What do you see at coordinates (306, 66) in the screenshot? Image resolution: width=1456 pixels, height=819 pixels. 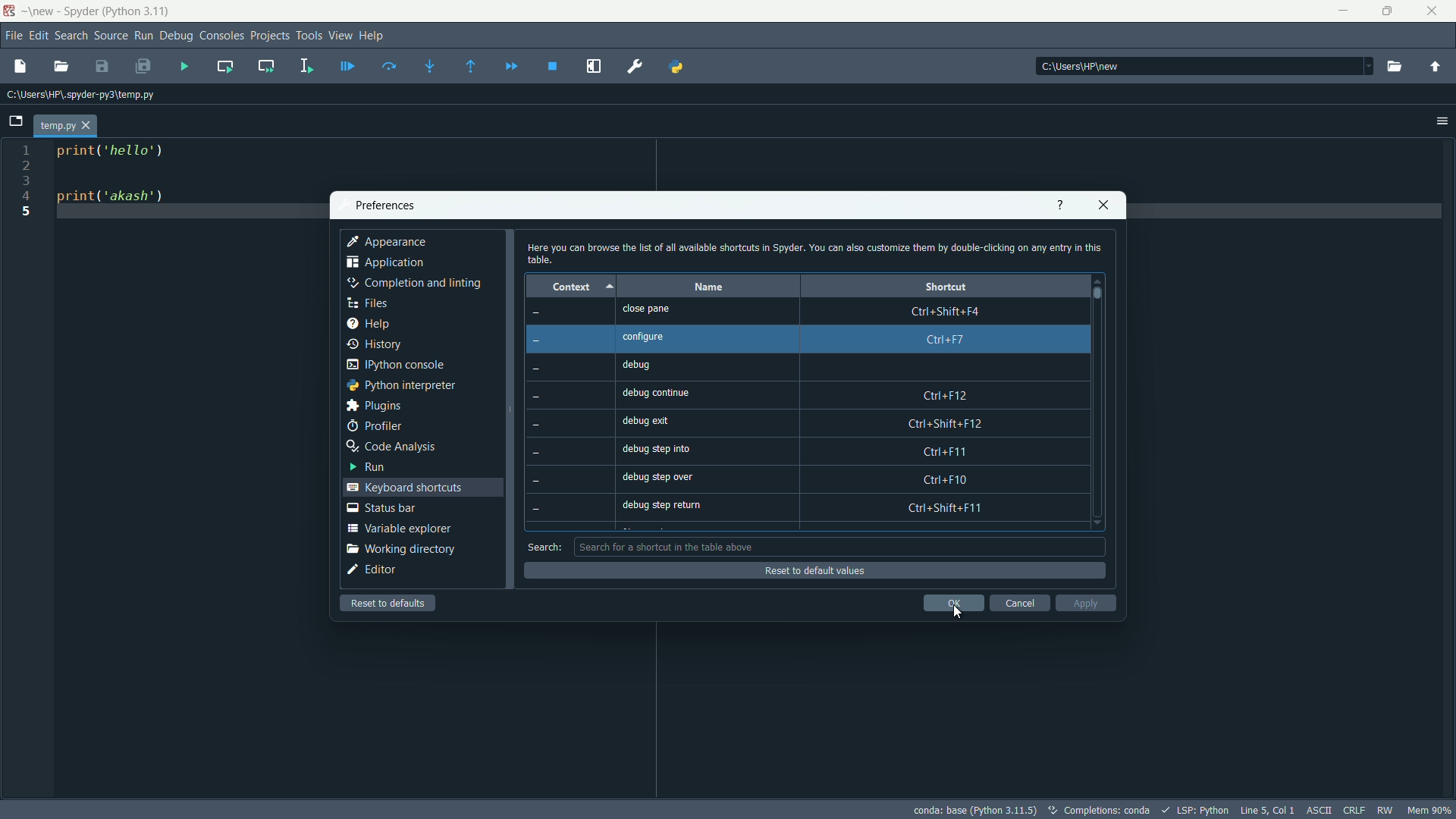 I see `run selection or current line` at bounding box center [306, 66].